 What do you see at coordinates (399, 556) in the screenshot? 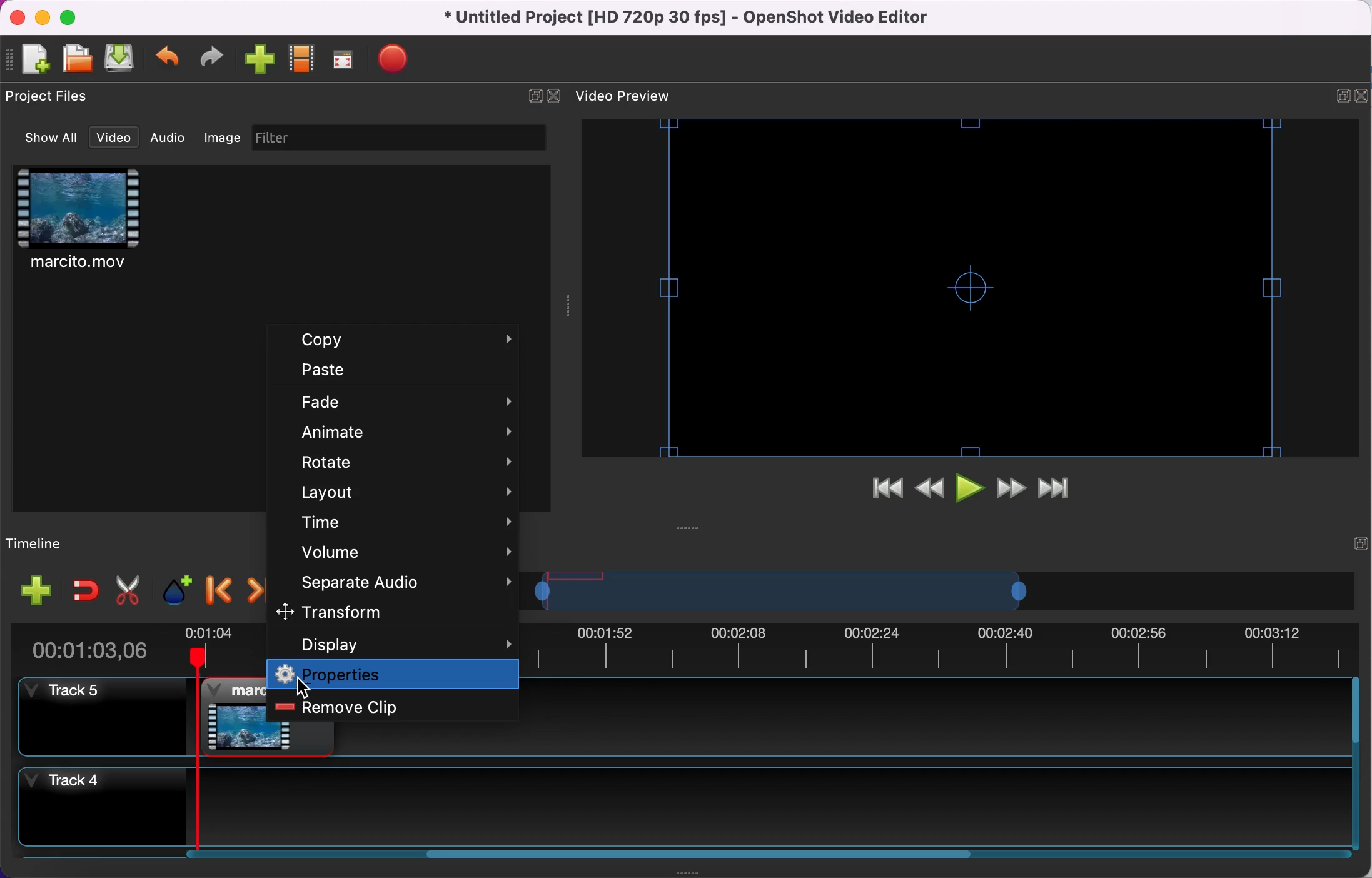
I see `volume` at bounding box center [399, 556].